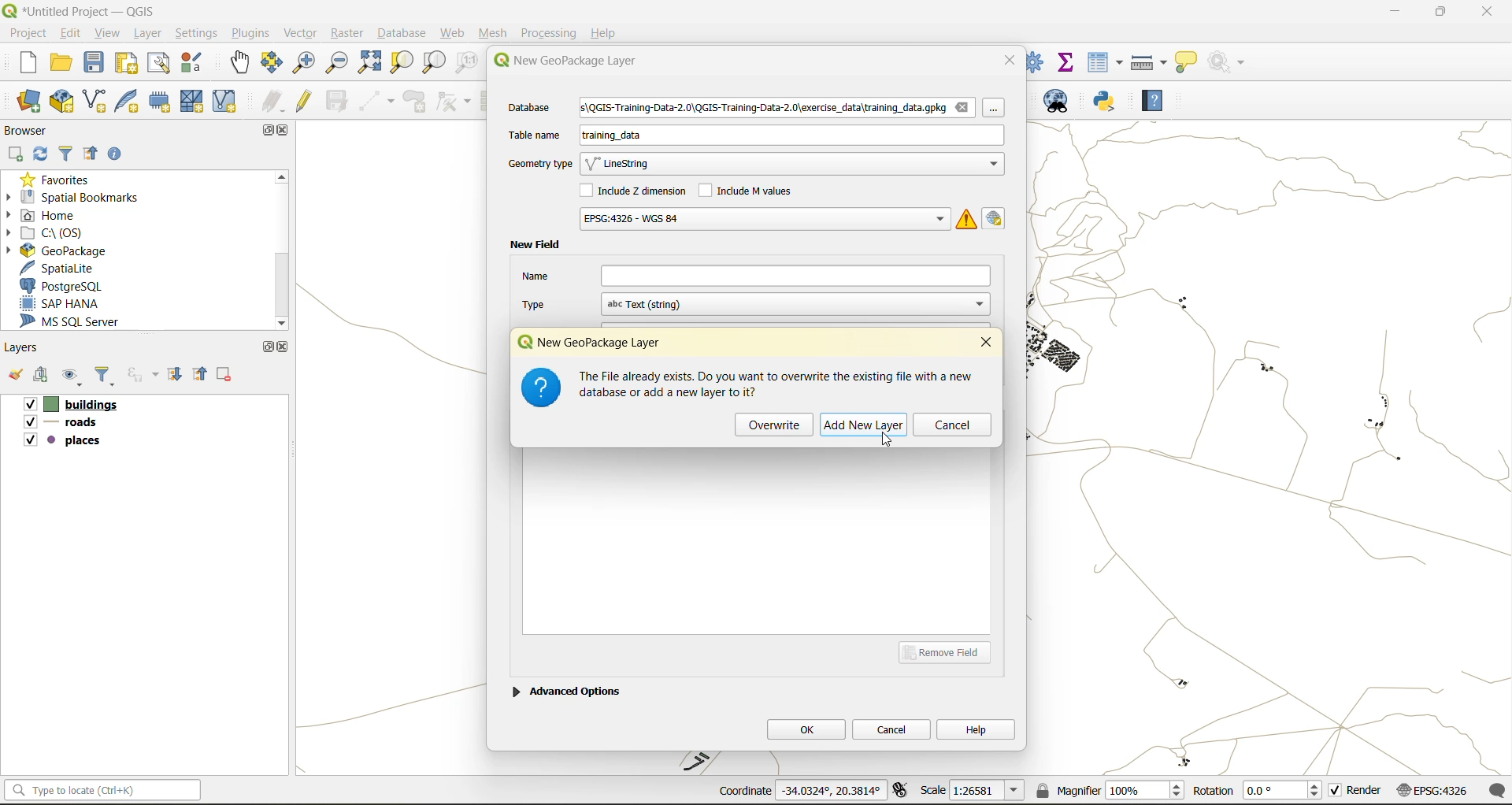  Describe the element at coordinates (538, 164) in the screenshot. I see `Geometry Tye` at that location.